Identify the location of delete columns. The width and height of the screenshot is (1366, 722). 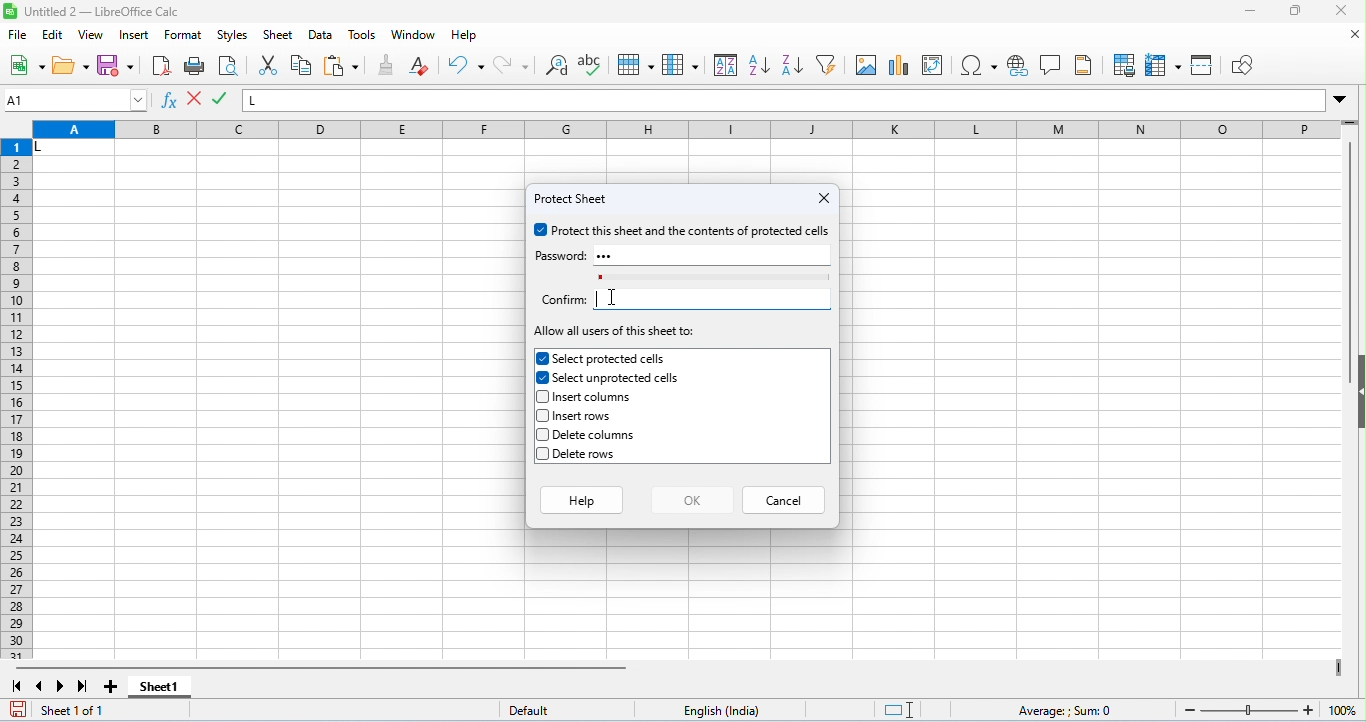
(589, 435).